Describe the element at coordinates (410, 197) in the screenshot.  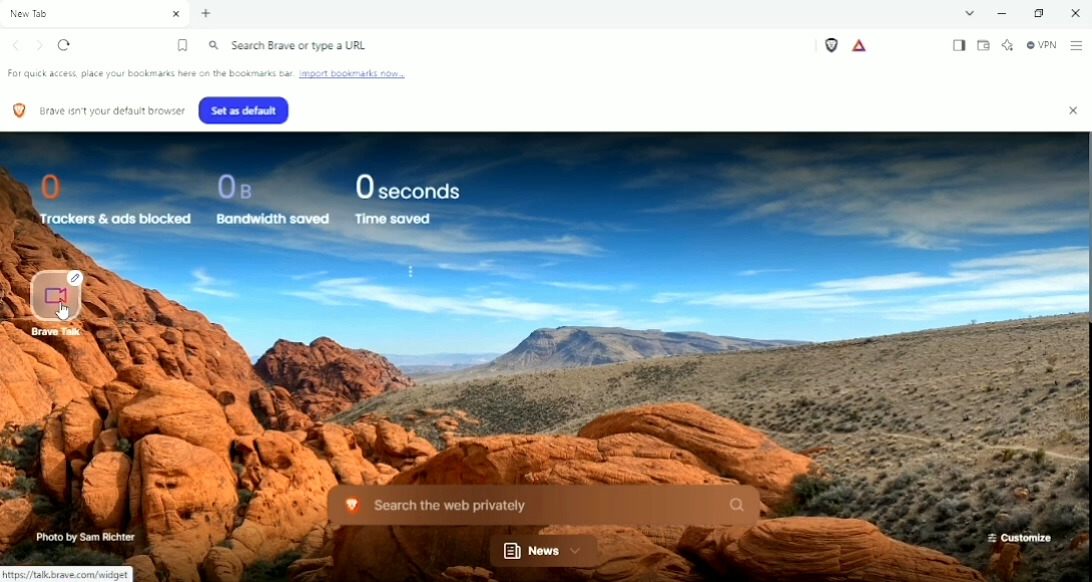
I see `0 seconds Time saved` at that location.